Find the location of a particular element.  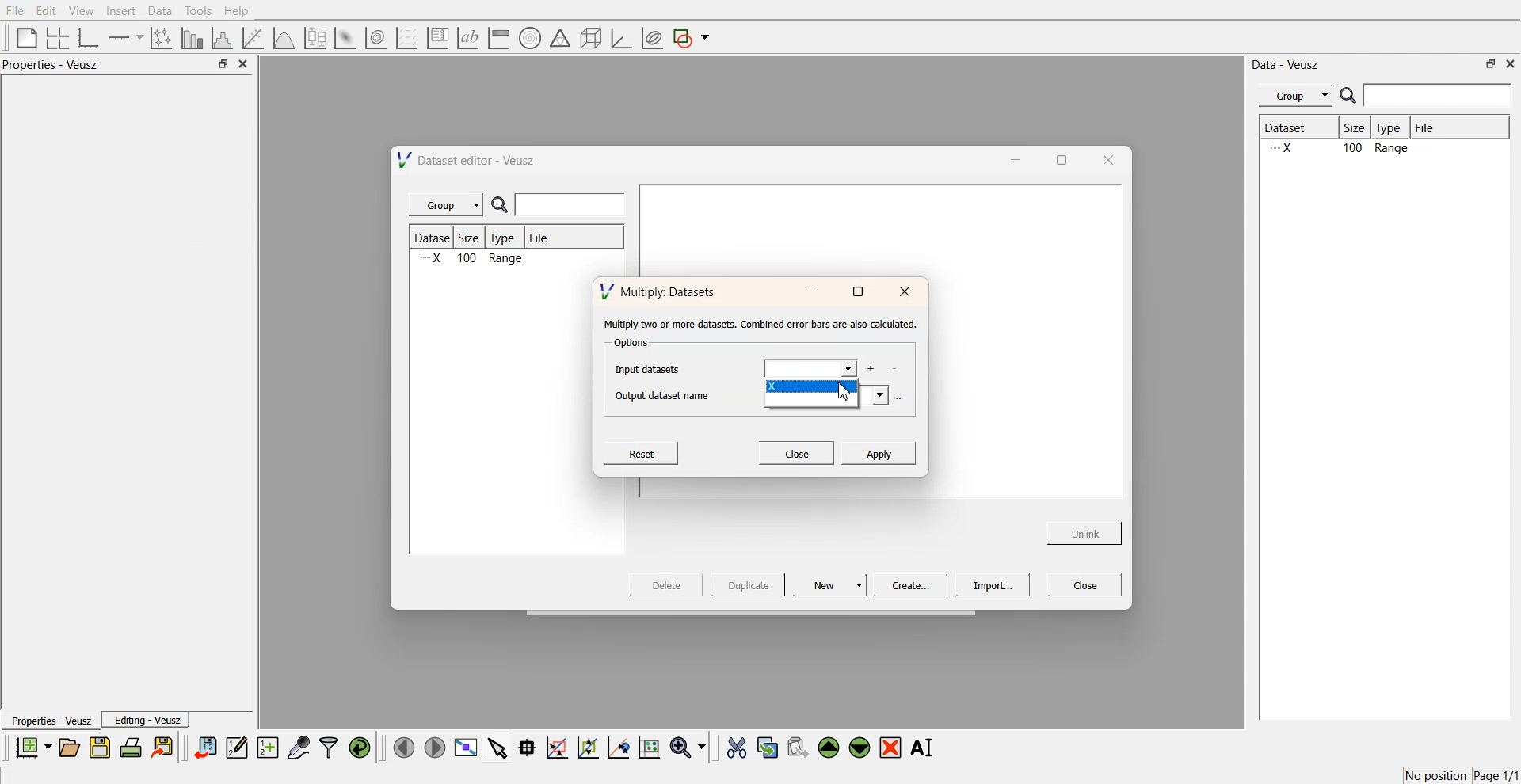

Page 1/1 is located at coordinates (1497, 776).